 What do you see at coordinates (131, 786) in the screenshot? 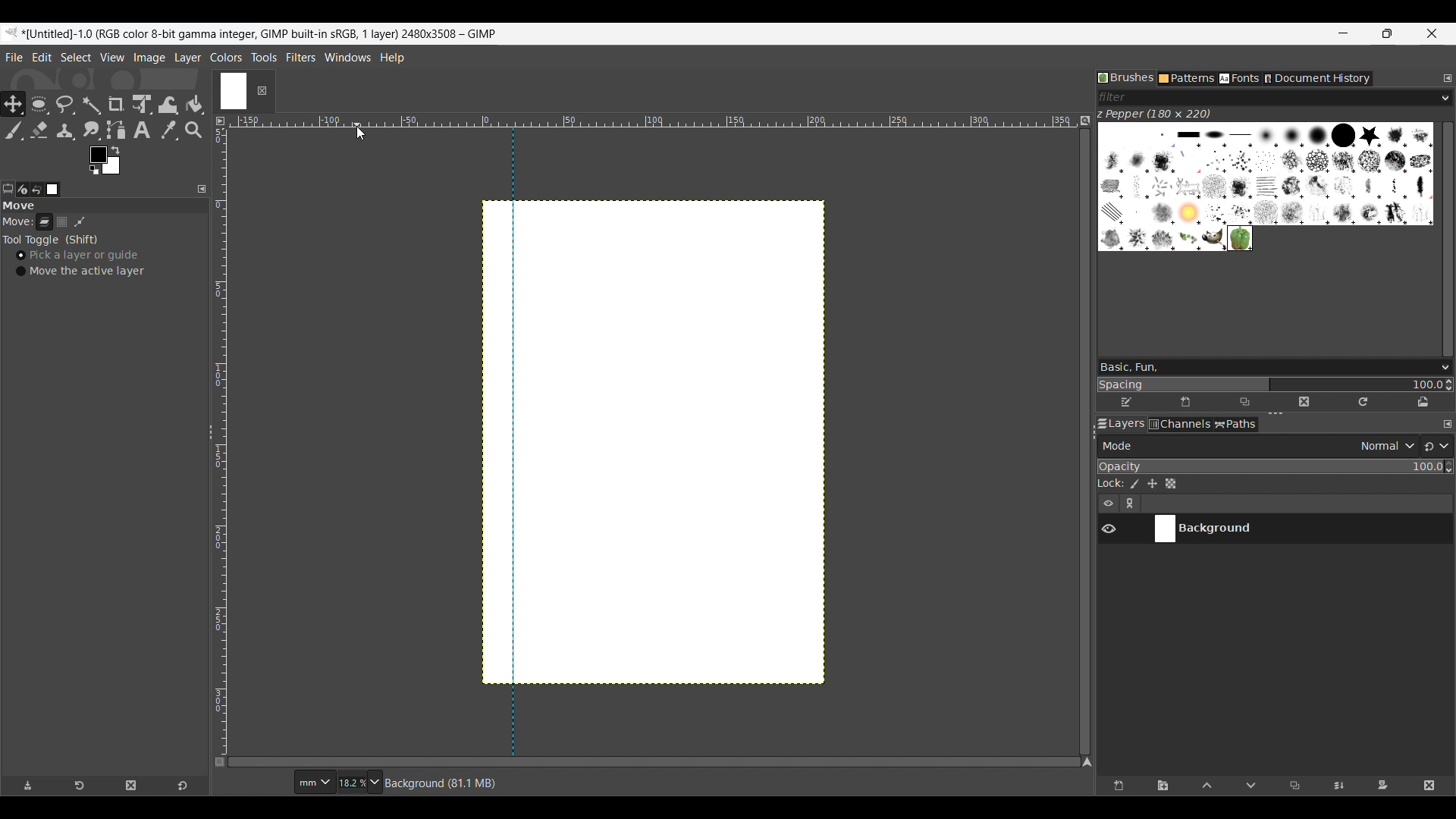
I see `Delete tool preset` at bounding box center [131, 786].